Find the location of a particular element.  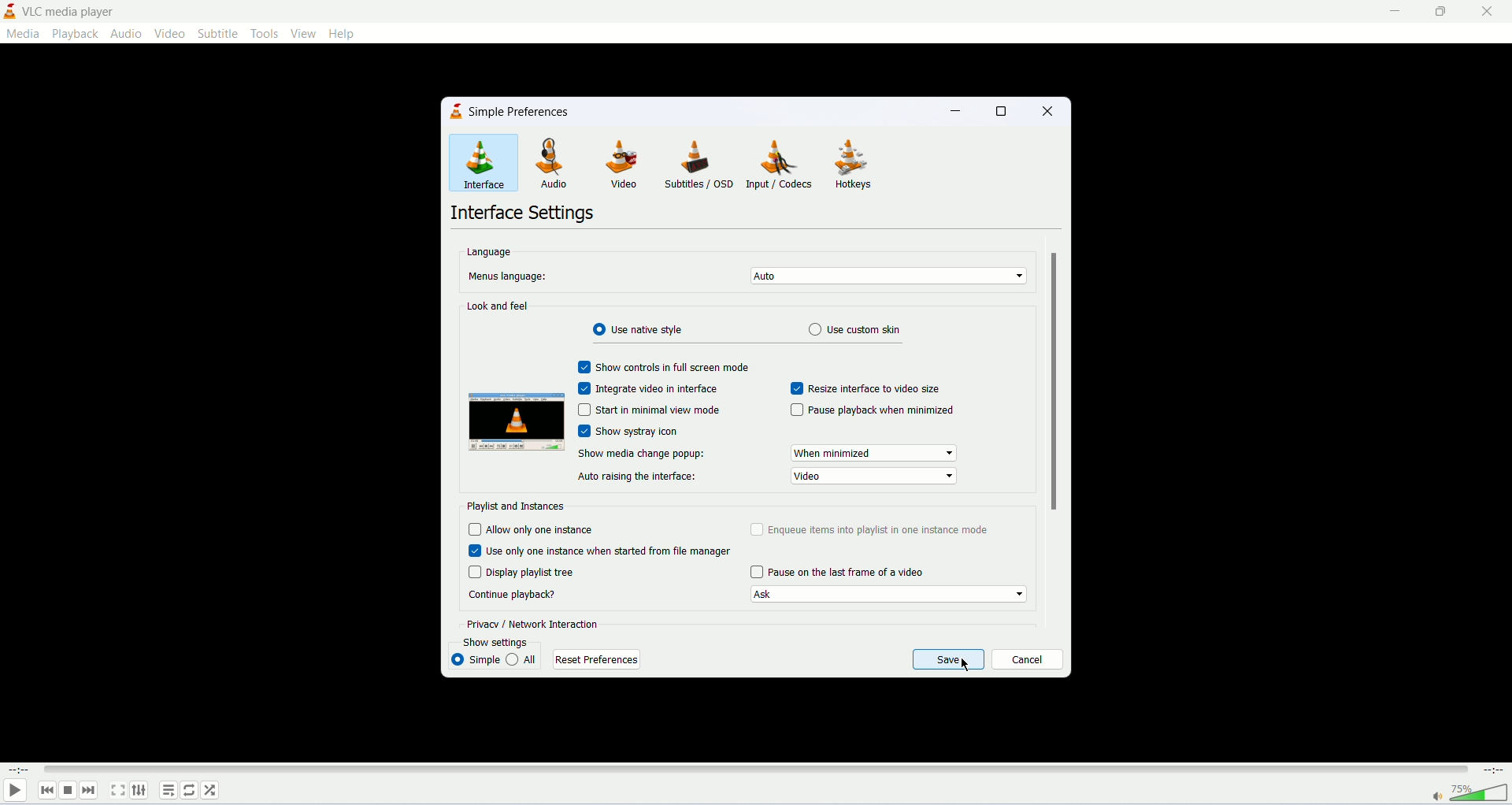

show media change popup options is located at coordinates (873, 453).